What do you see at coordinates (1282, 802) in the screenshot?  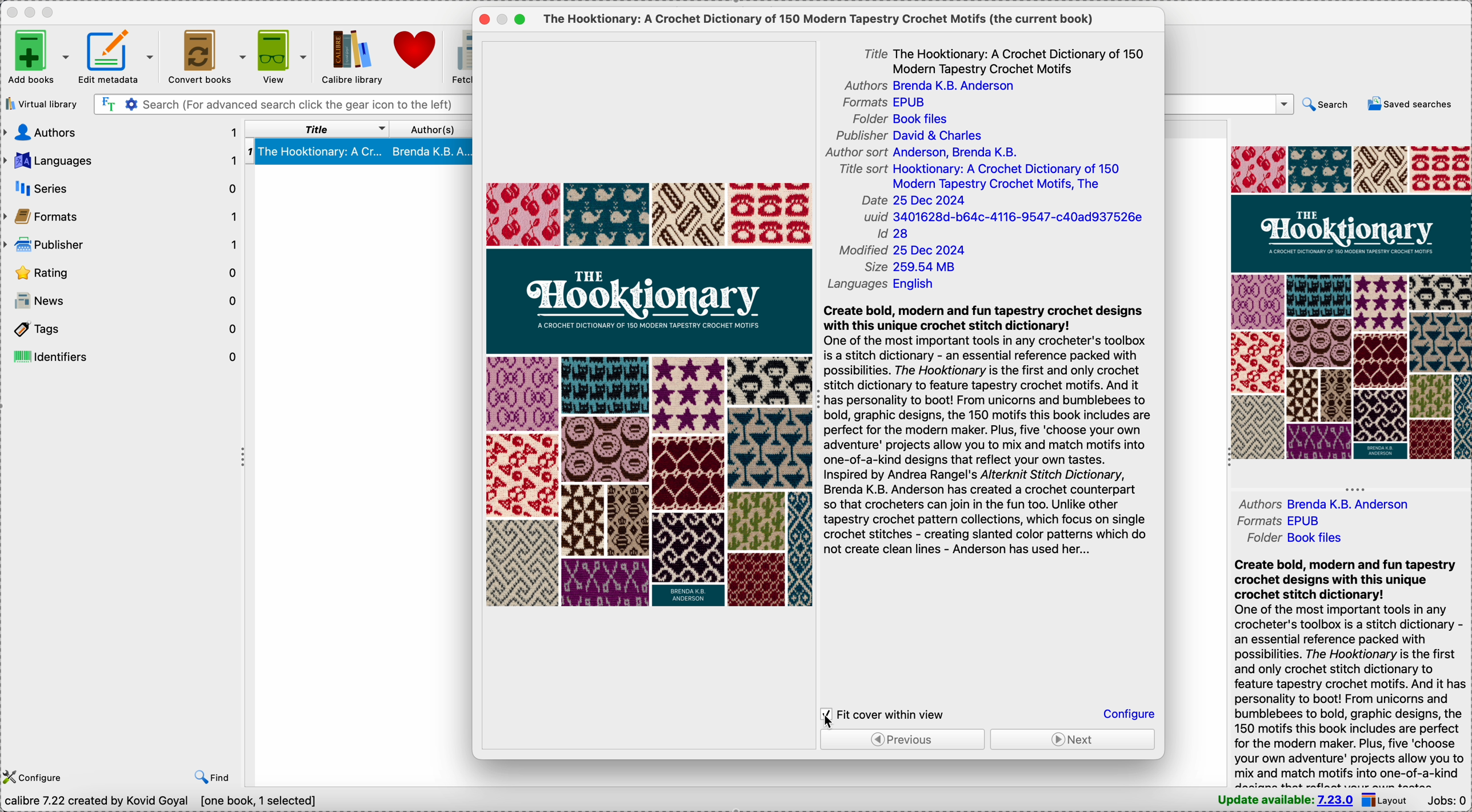 I see `update available` at bounding box center [1282, 802].